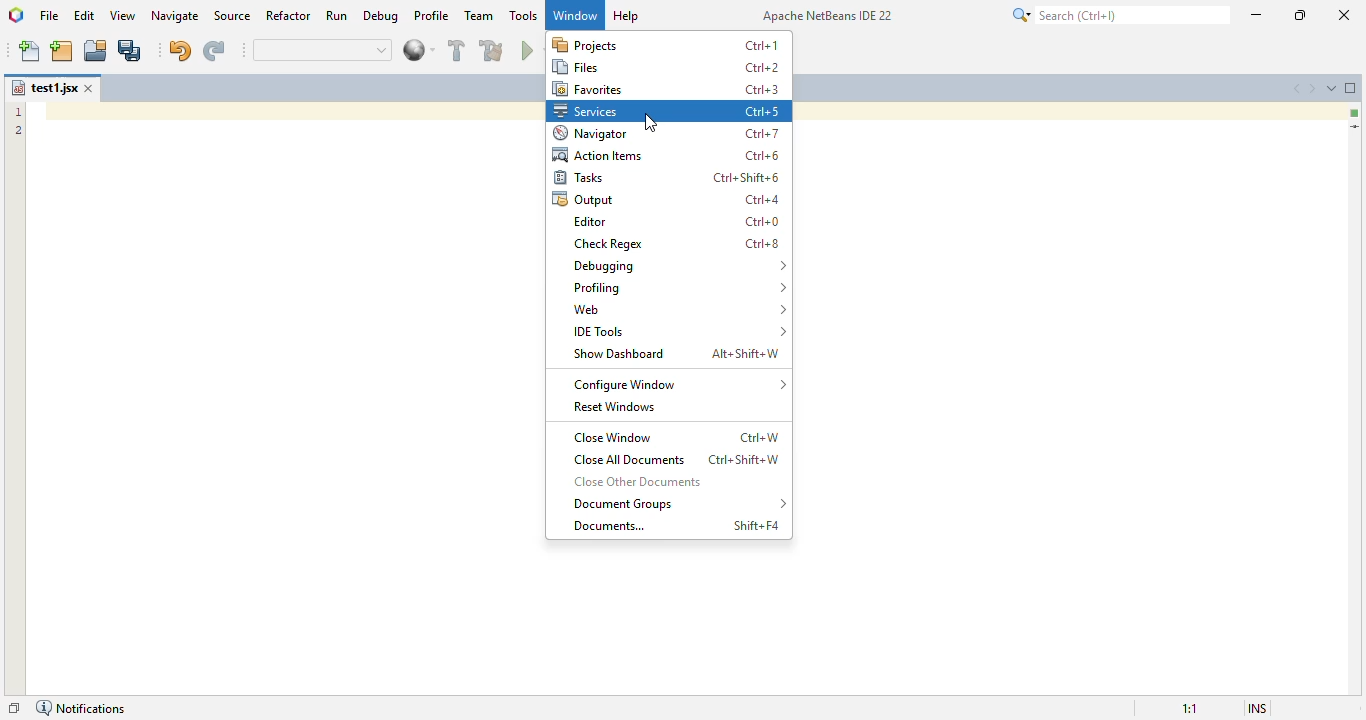 This screenshot has height=720, width=1366. I want to click on files, so click(575, 67).